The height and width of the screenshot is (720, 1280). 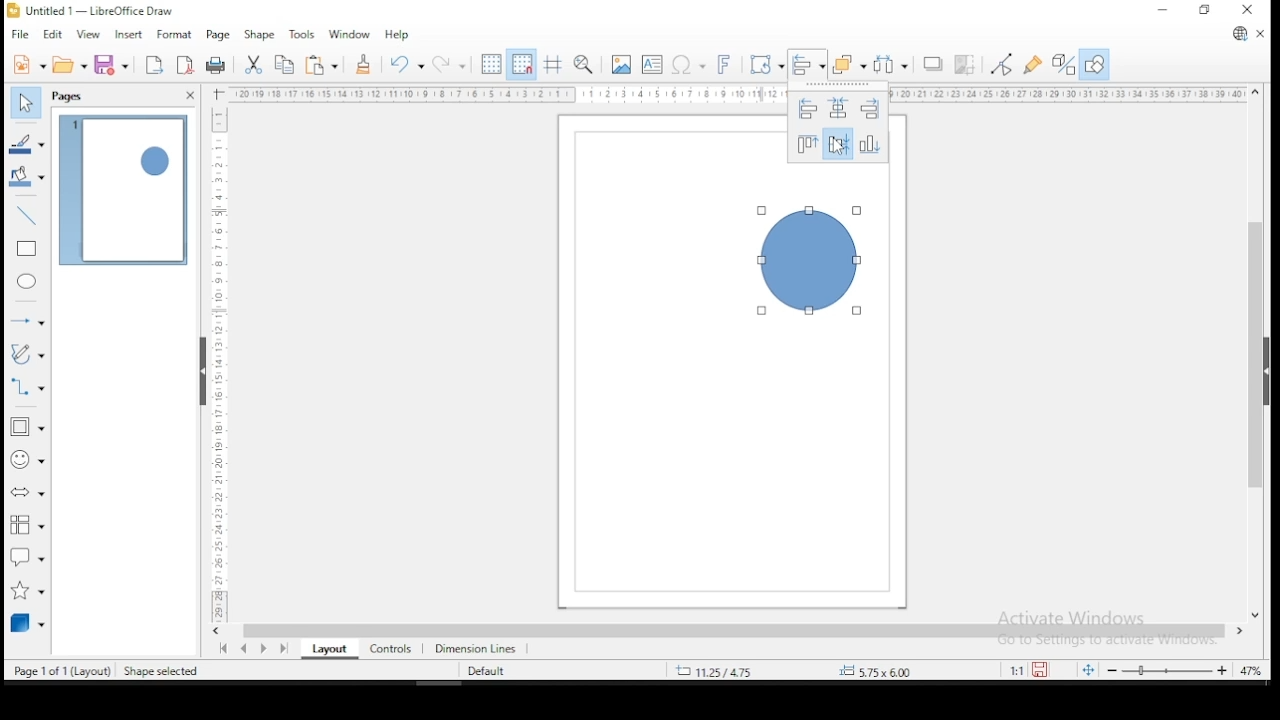 I want to click on bottom, so click(x=872, y=144).